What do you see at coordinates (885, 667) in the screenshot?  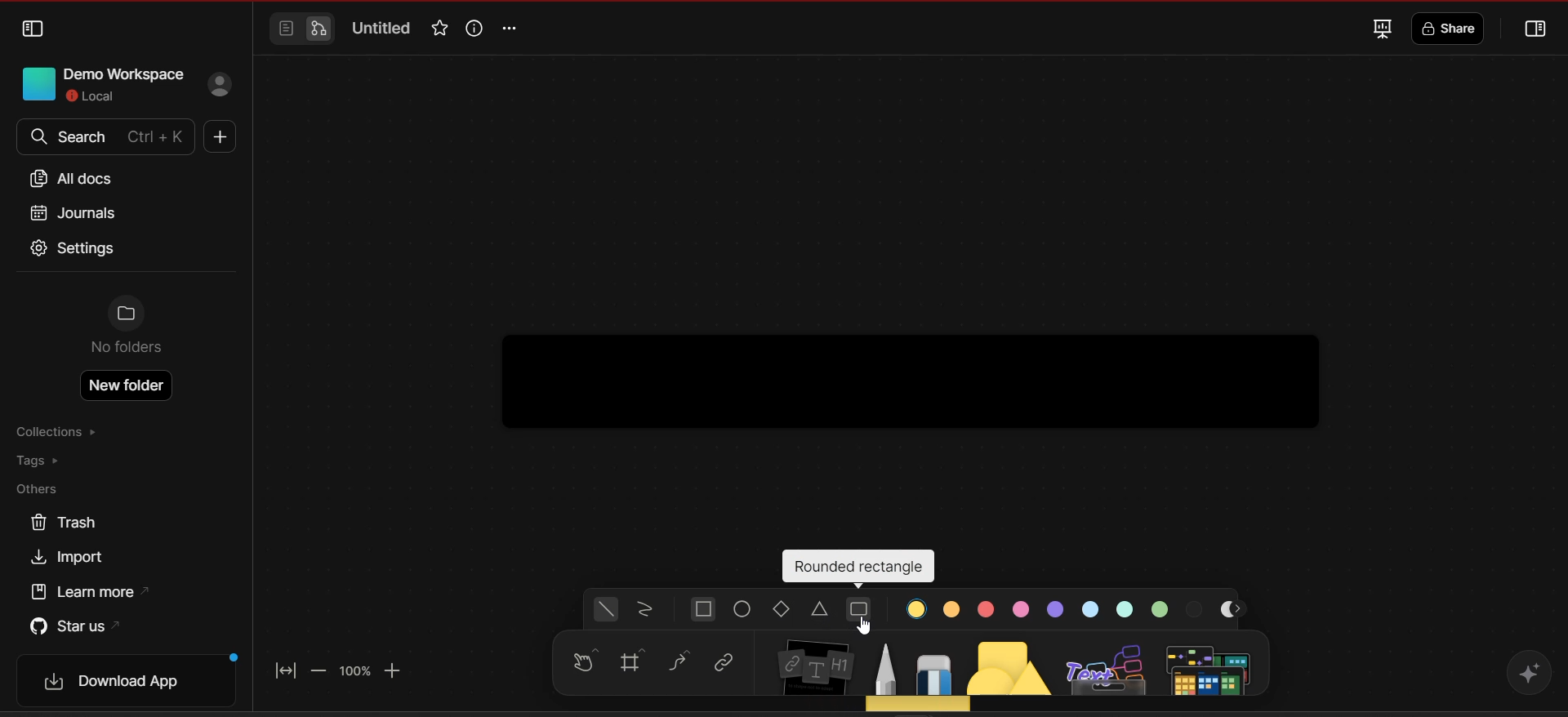 I see `pen` at bounding box center [885, 667].